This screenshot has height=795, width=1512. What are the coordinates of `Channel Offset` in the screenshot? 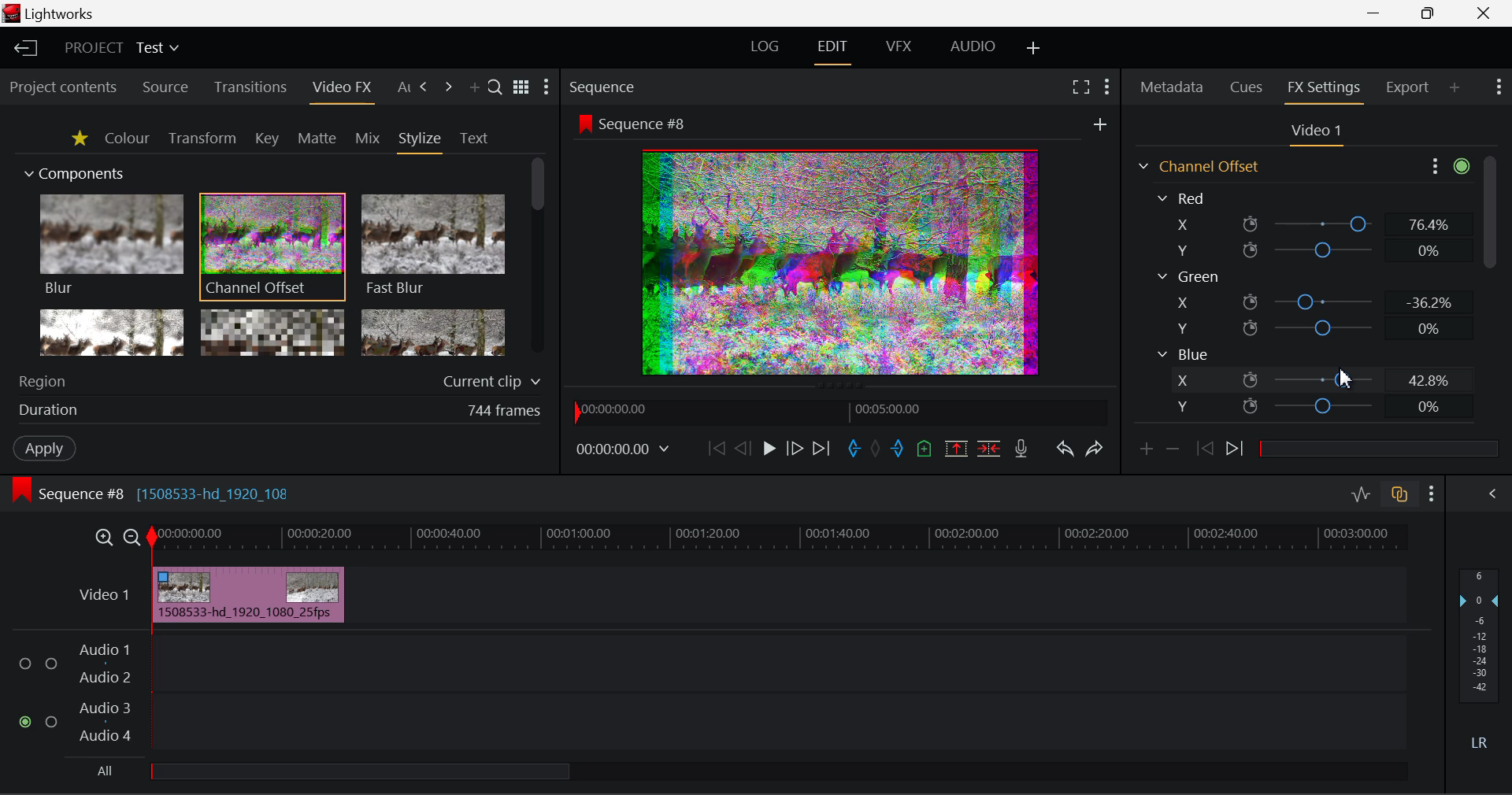 It's located at (1196, 166).